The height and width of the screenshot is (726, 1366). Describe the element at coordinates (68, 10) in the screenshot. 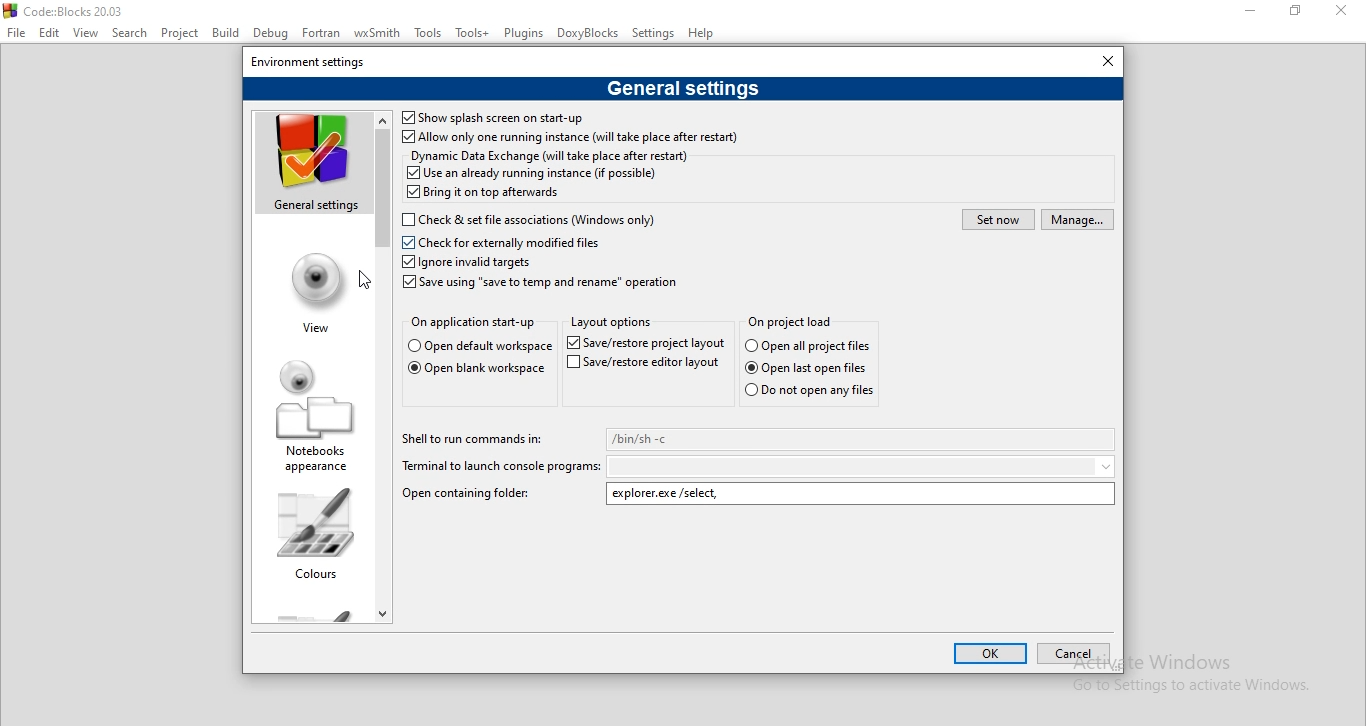

I see `Code :: Blocks 20.03` at that location.